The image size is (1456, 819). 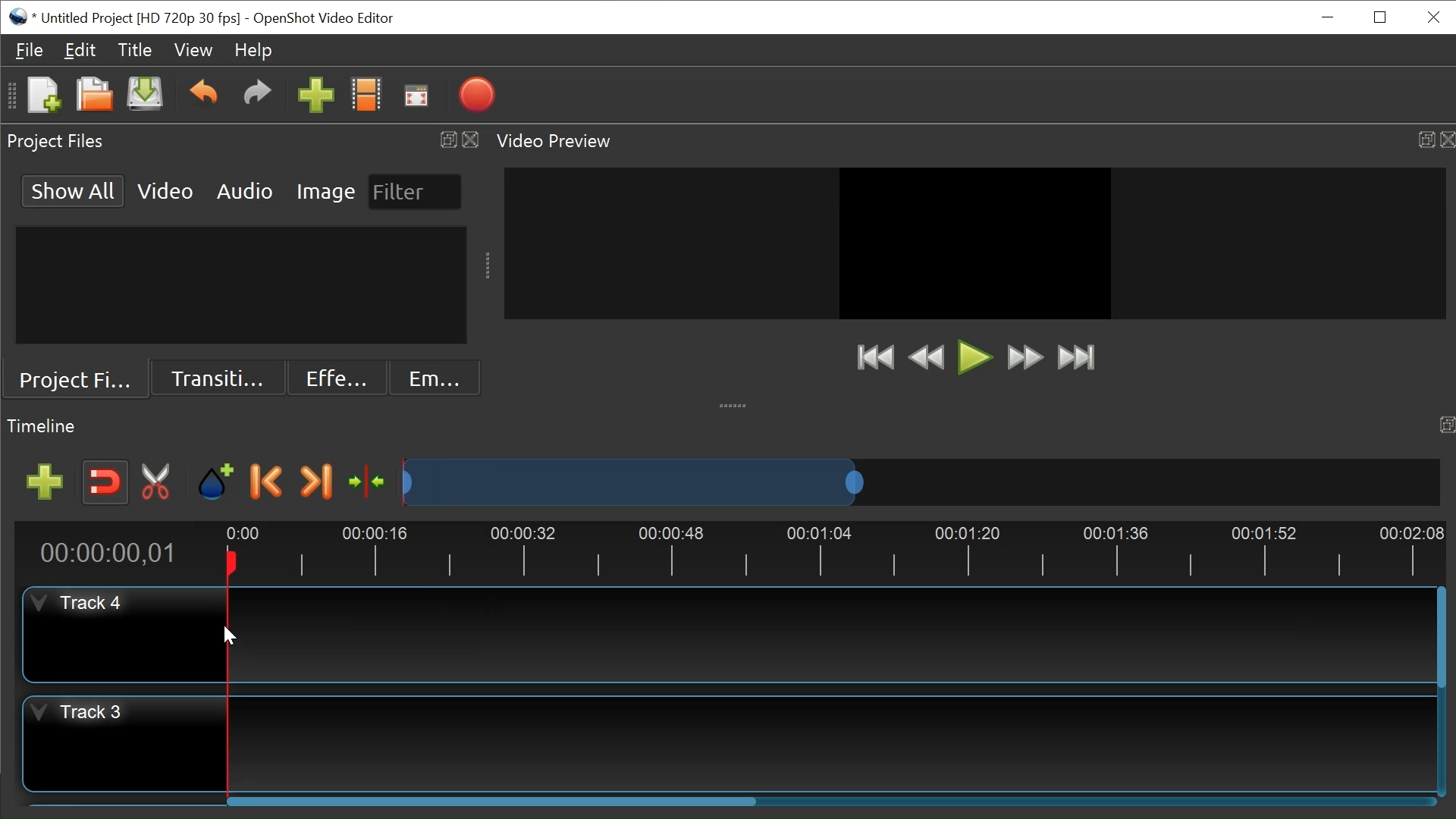 I want to click on View, so click(x=193, y=51).